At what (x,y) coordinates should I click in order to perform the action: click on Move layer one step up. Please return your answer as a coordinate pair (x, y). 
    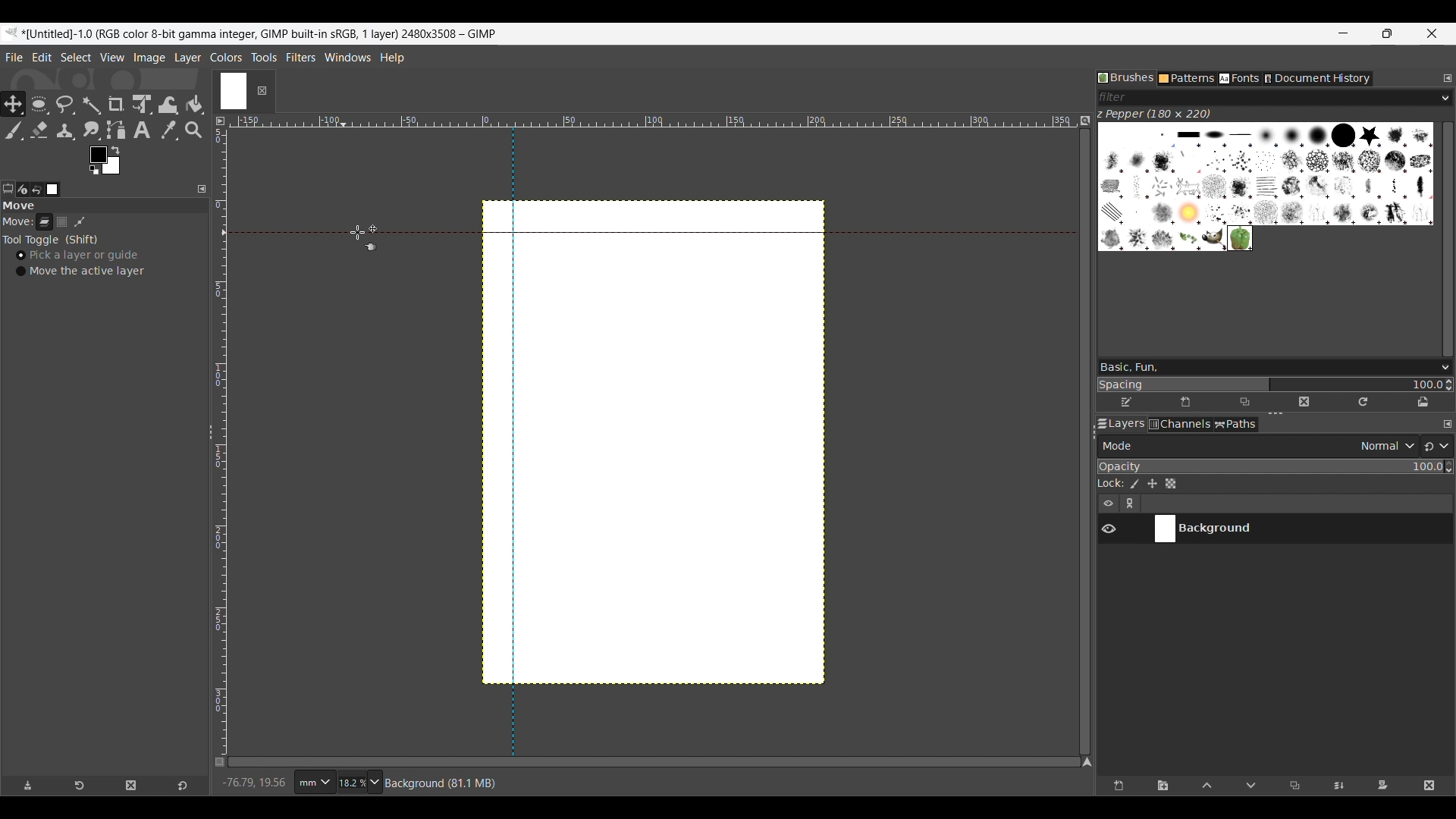
    Looking at the image, I should click on (1207, 786).